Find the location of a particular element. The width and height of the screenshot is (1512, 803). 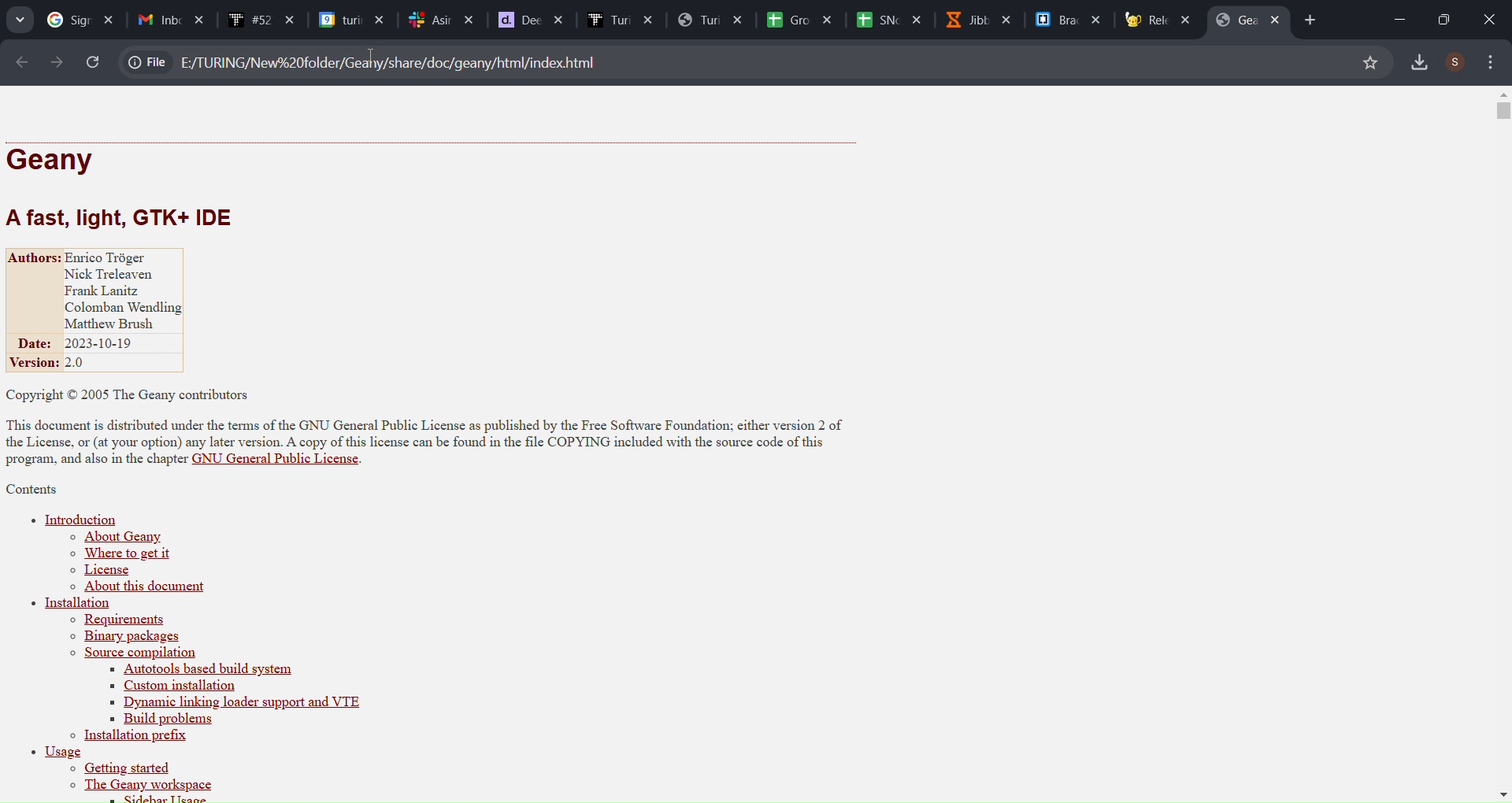

installation prefix is located at coordinates (133, 737).